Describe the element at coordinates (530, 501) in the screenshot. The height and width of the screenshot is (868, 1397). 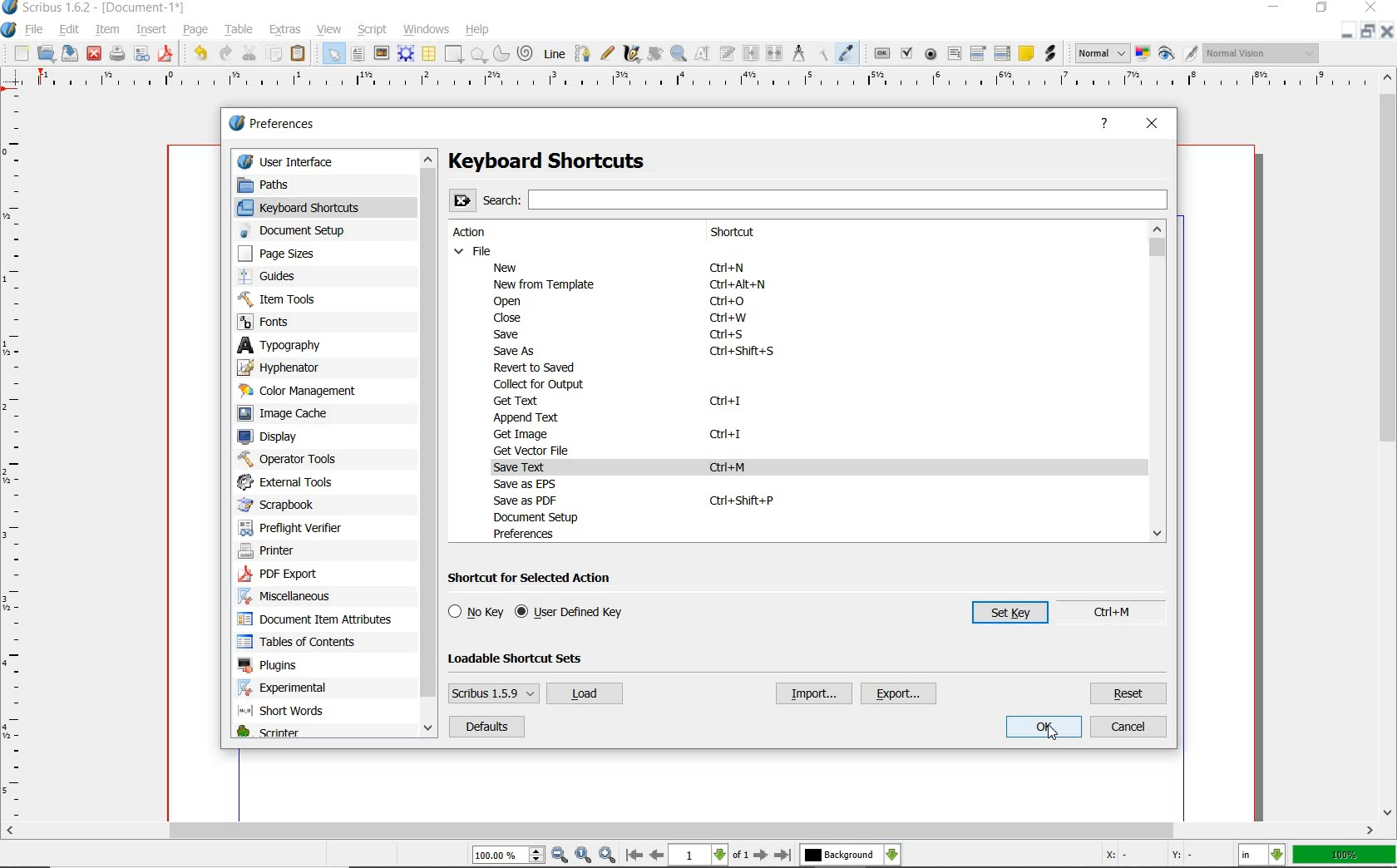
I see `save as pdf` at that location.